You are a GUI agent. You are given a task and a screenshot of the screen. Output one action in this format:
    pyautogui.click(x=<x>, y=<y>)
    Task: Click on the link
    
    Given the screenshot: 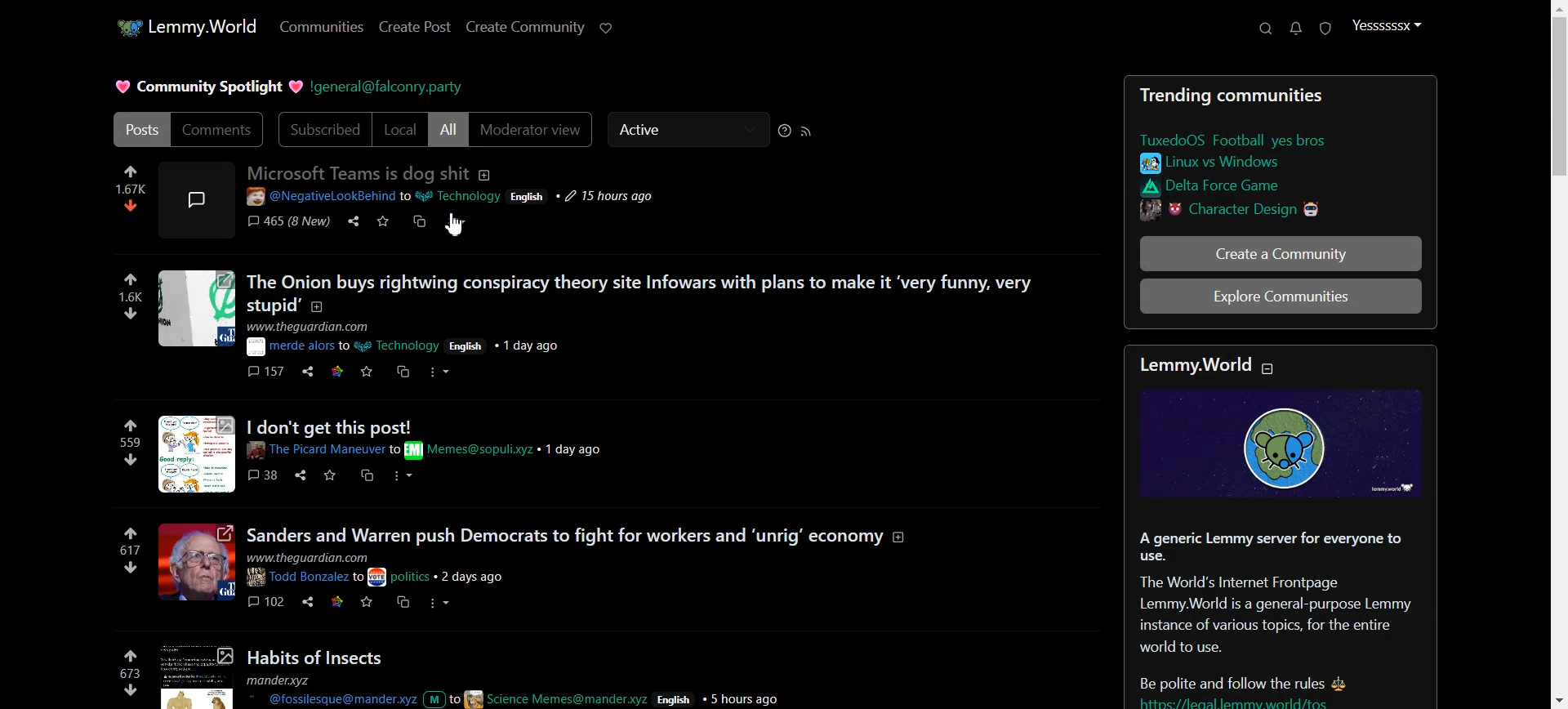 What is the action you would take?
    pyautogui.click(x=1249, y=209)
    